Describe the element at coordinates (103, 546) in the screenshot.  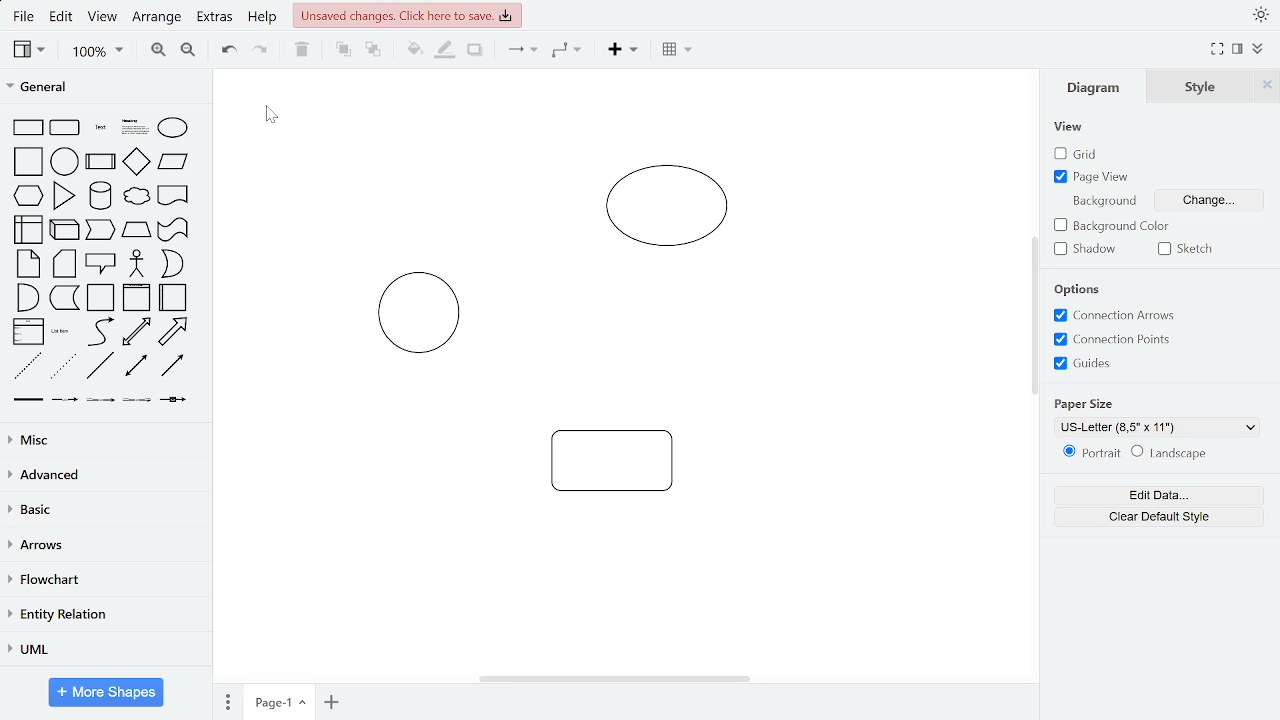
I see `arrows` at that location.